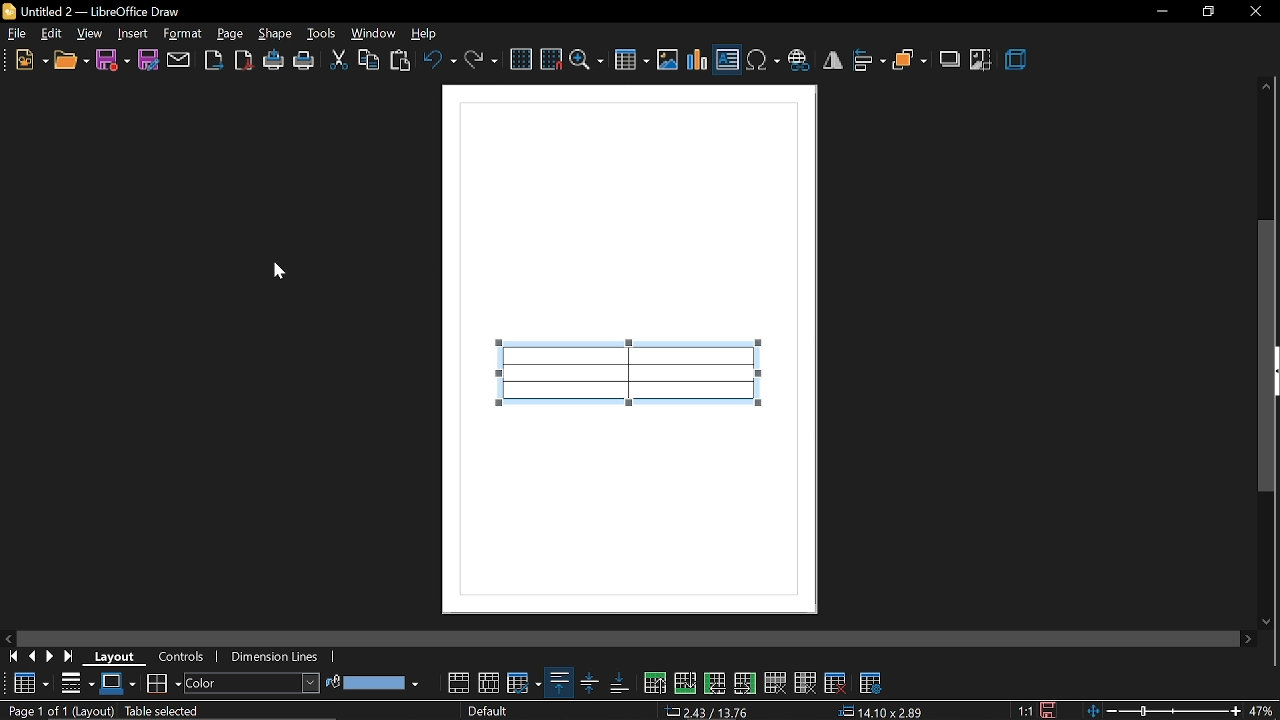 This screenshot has height=720, width=1280. What do you see at coordinates (118, 685) in the screenshot?
I see `Border color` at bounding box center [118, 685].